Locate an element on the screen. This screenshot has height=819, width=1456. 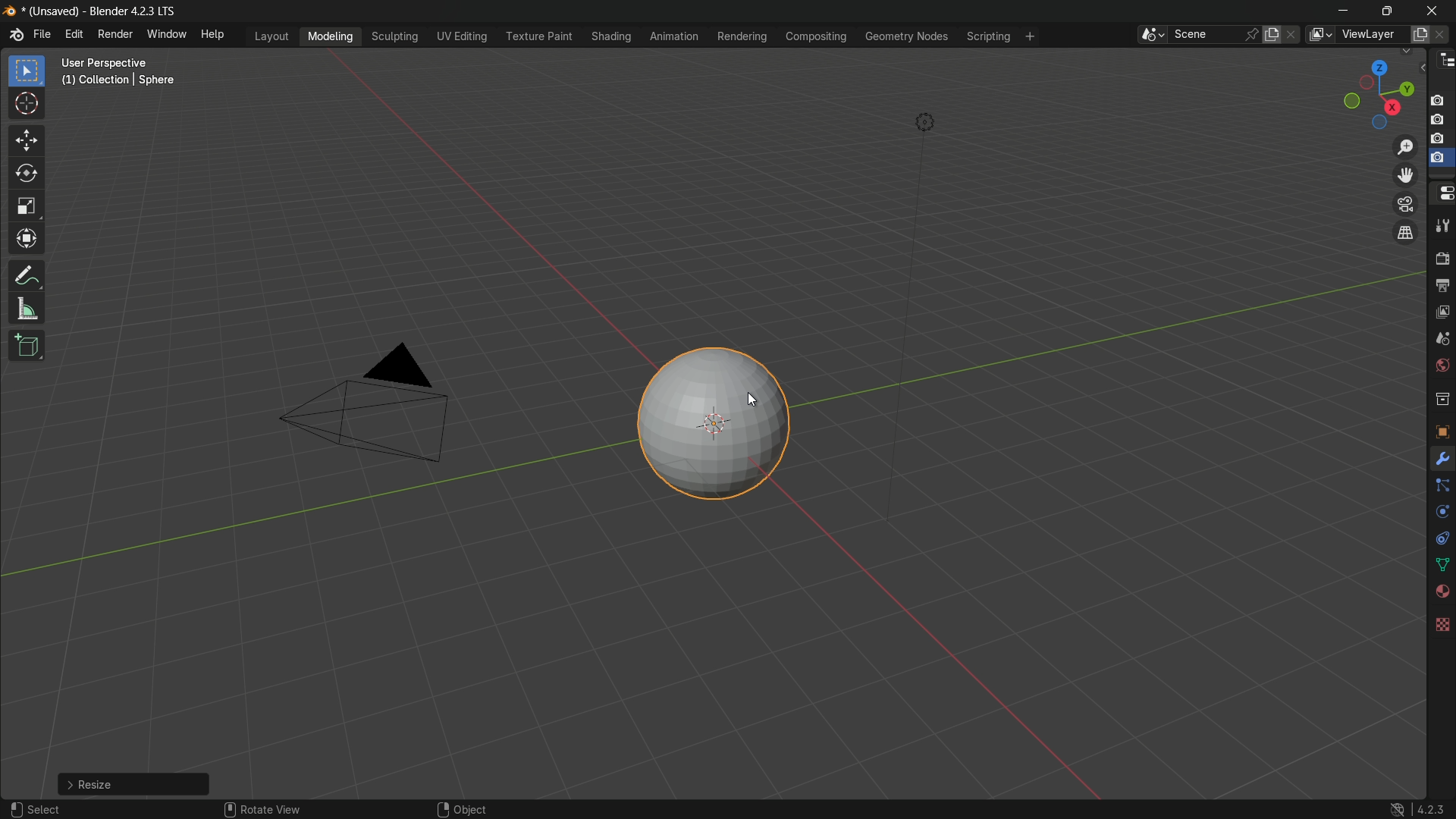
material is located at coordinates (1442, 591).